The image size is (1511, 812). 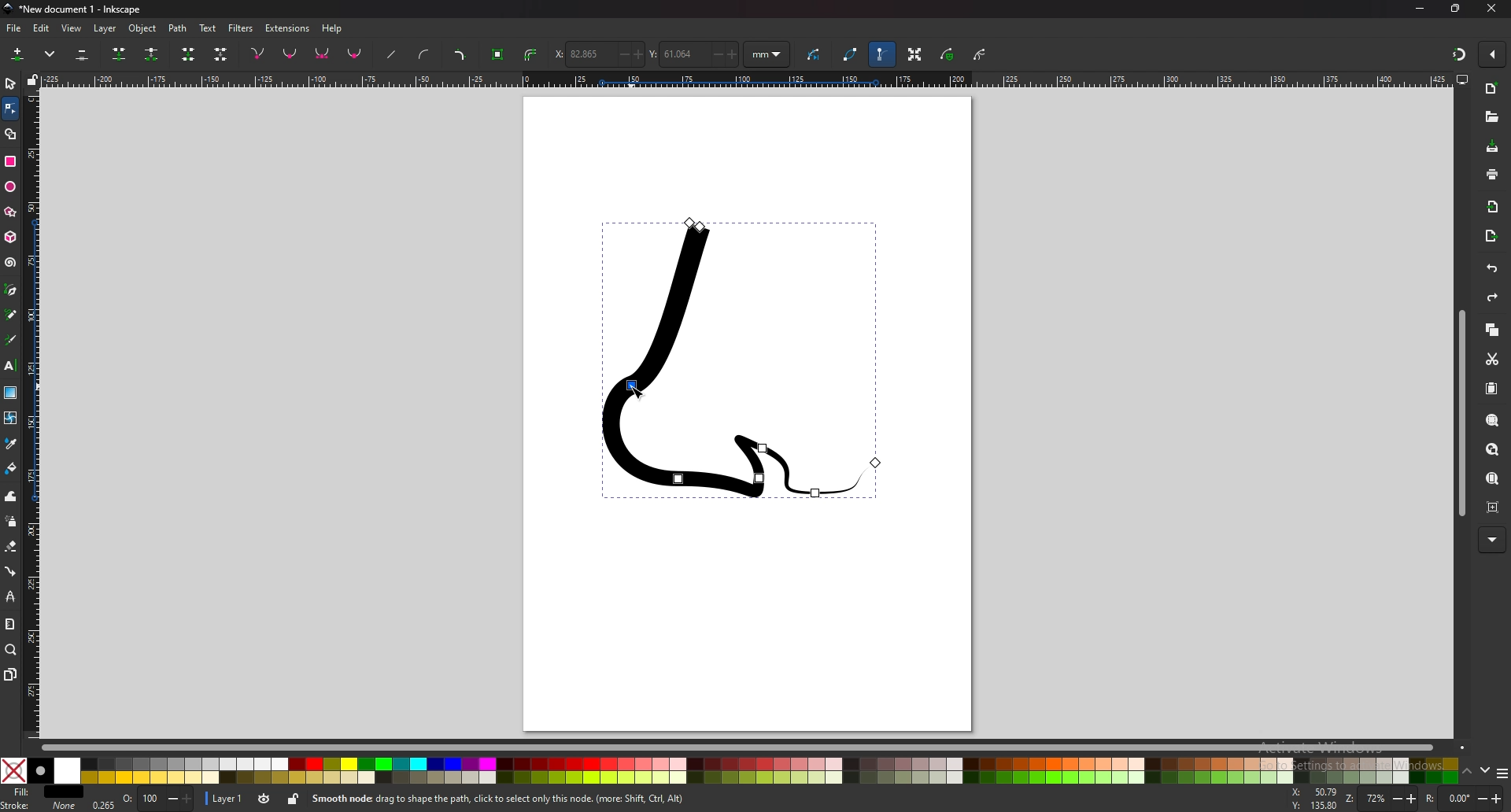 What do you see at coordinates (881, 54) in the screenshot?
I see `show bezier handle` at bounding box center [881, 54].